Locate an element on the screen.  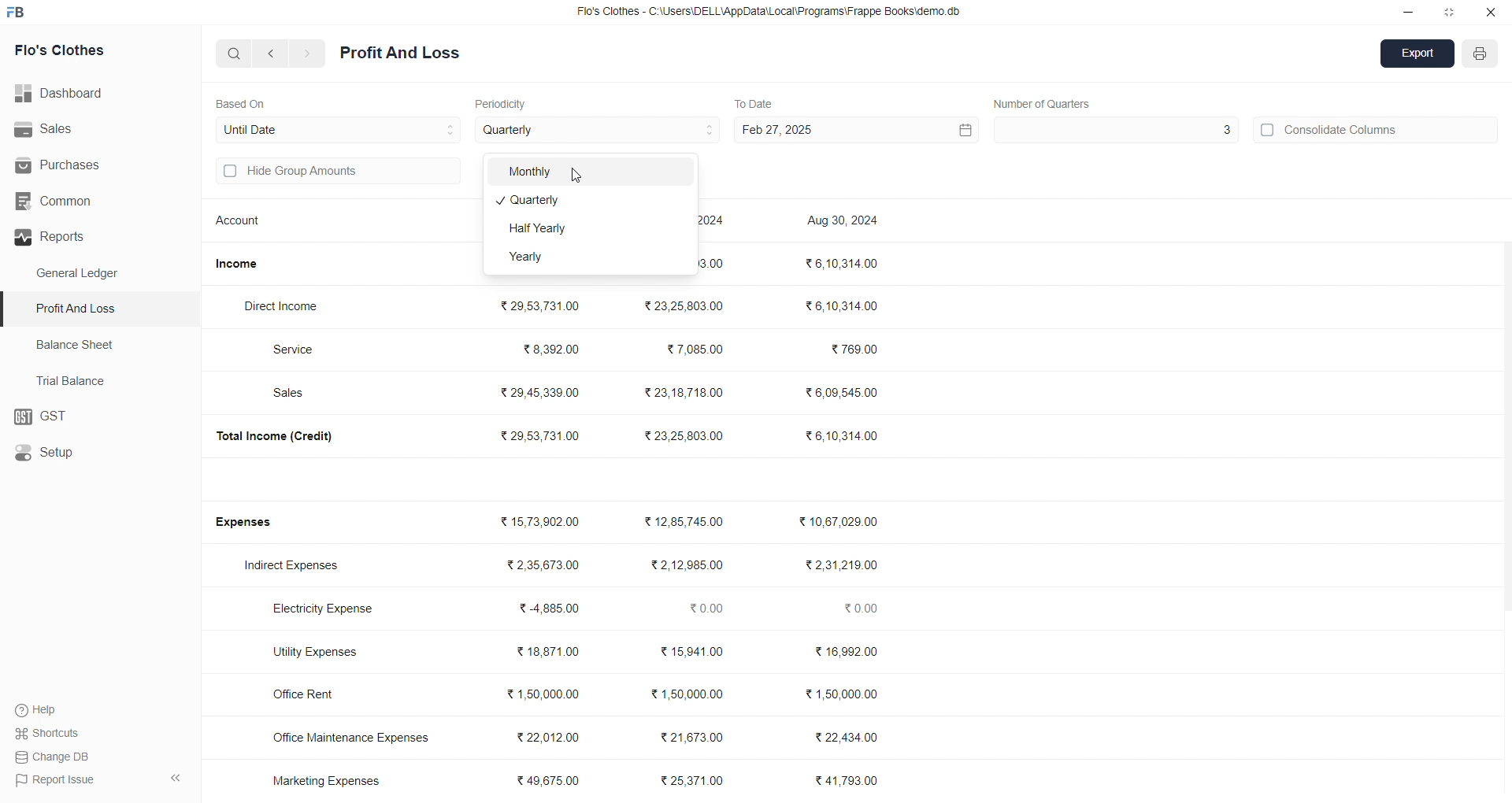
Sales is located at coordinates (90, 130).